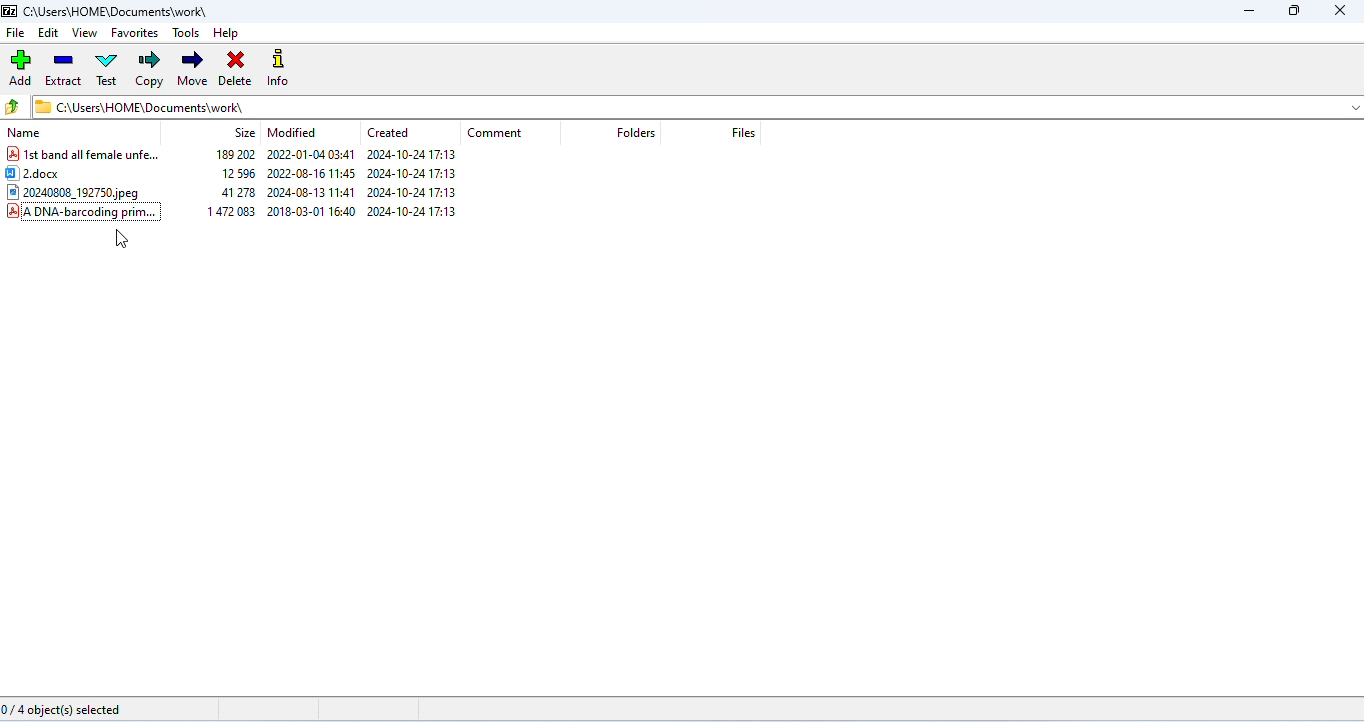  I want to click on view, so click(84, 33).